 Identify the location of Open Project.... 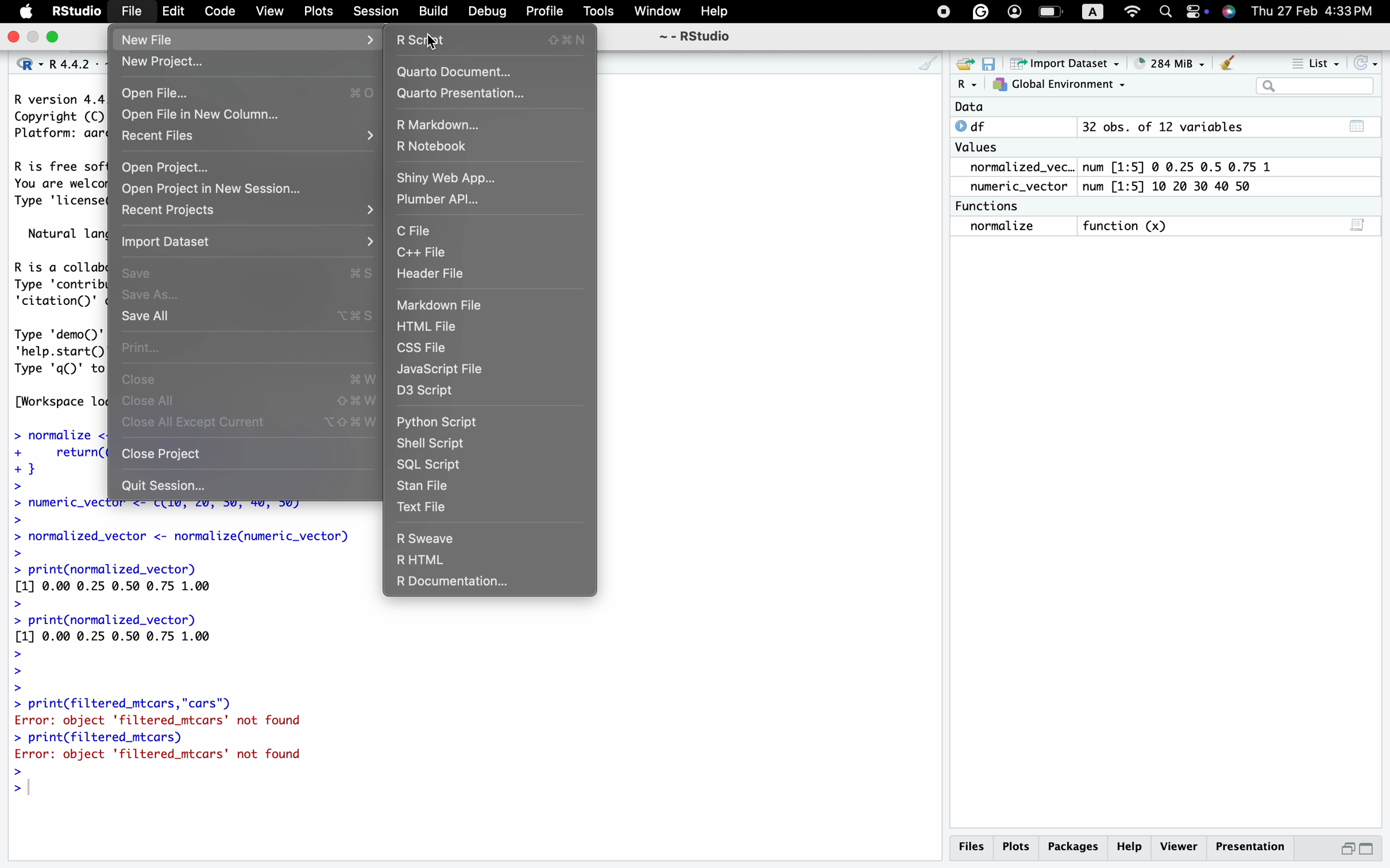
(168, 164).